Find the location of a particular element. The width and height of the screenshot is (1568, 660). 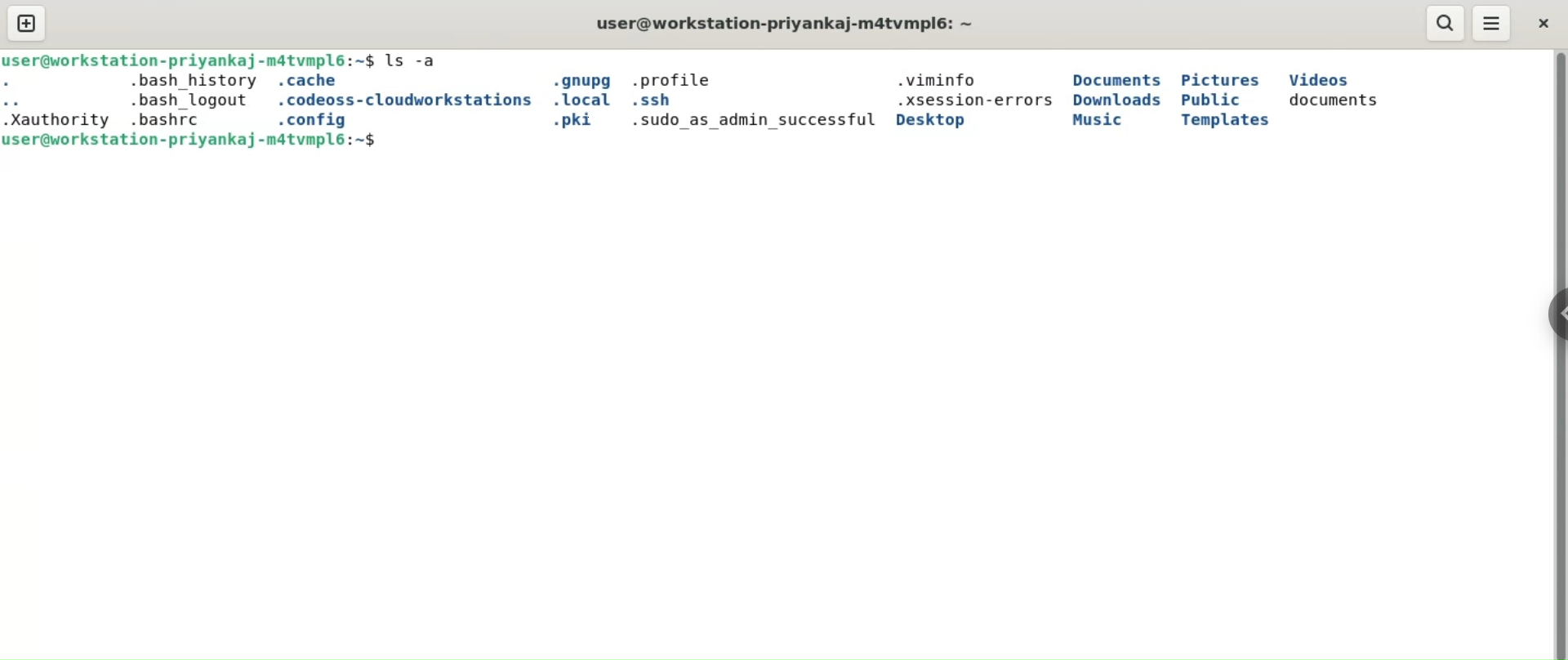

vertical scroll bar is located at coordinates (1557, 352).